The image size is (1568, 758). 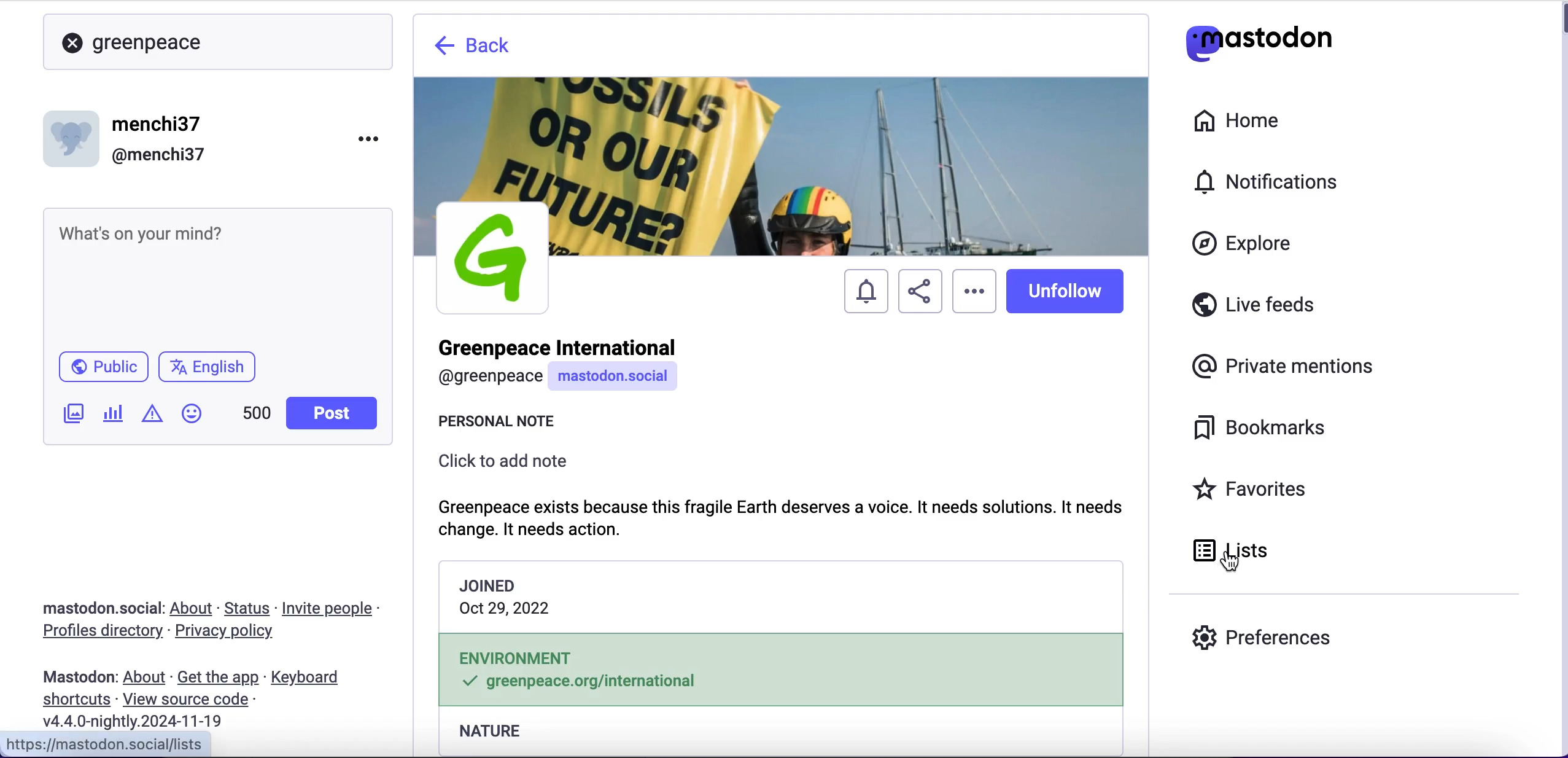 I want to click on preferences, so click(x=1262, y=637).